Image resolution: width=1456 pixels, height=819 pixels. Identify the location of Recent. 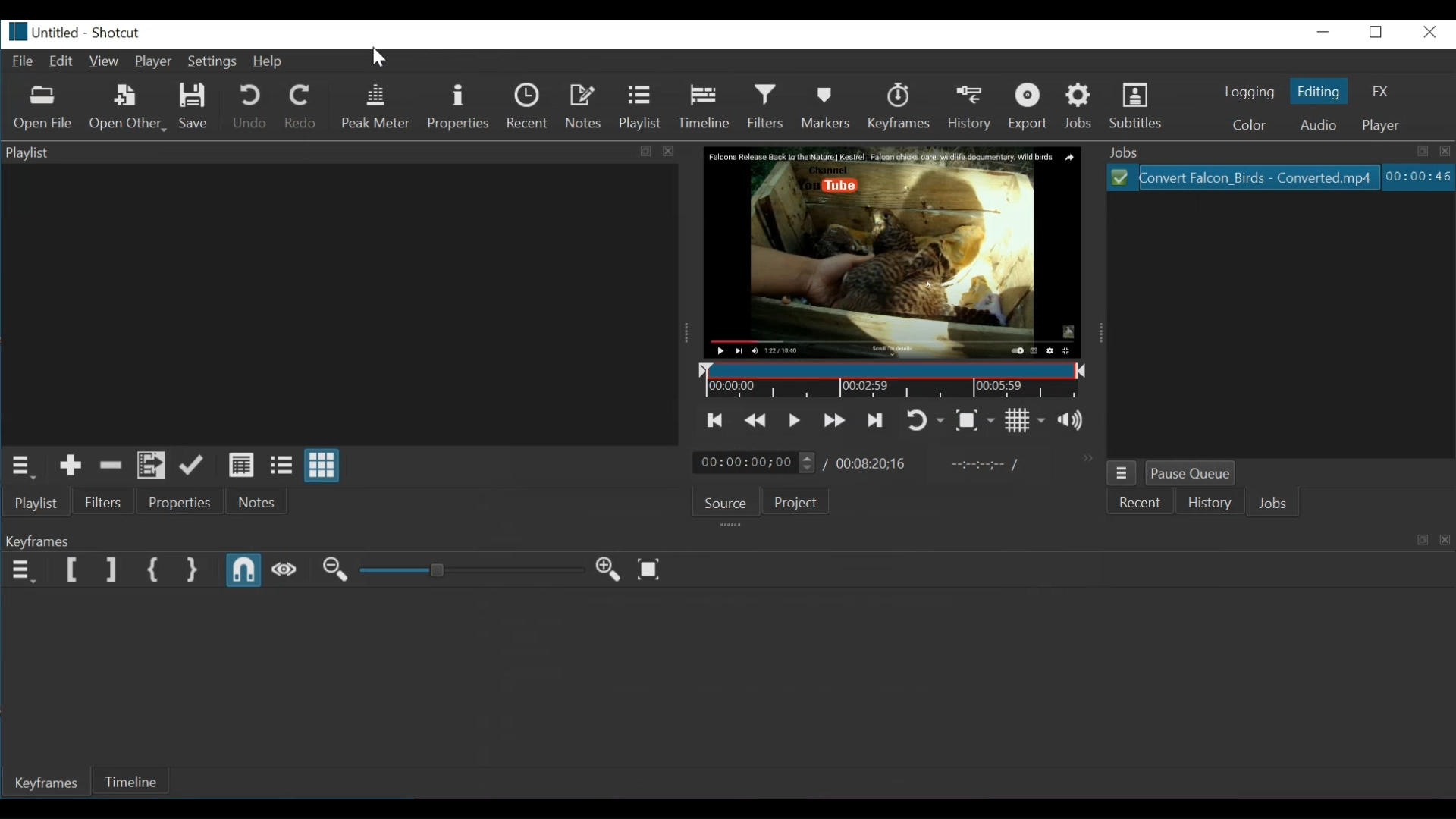
(1141, 503).